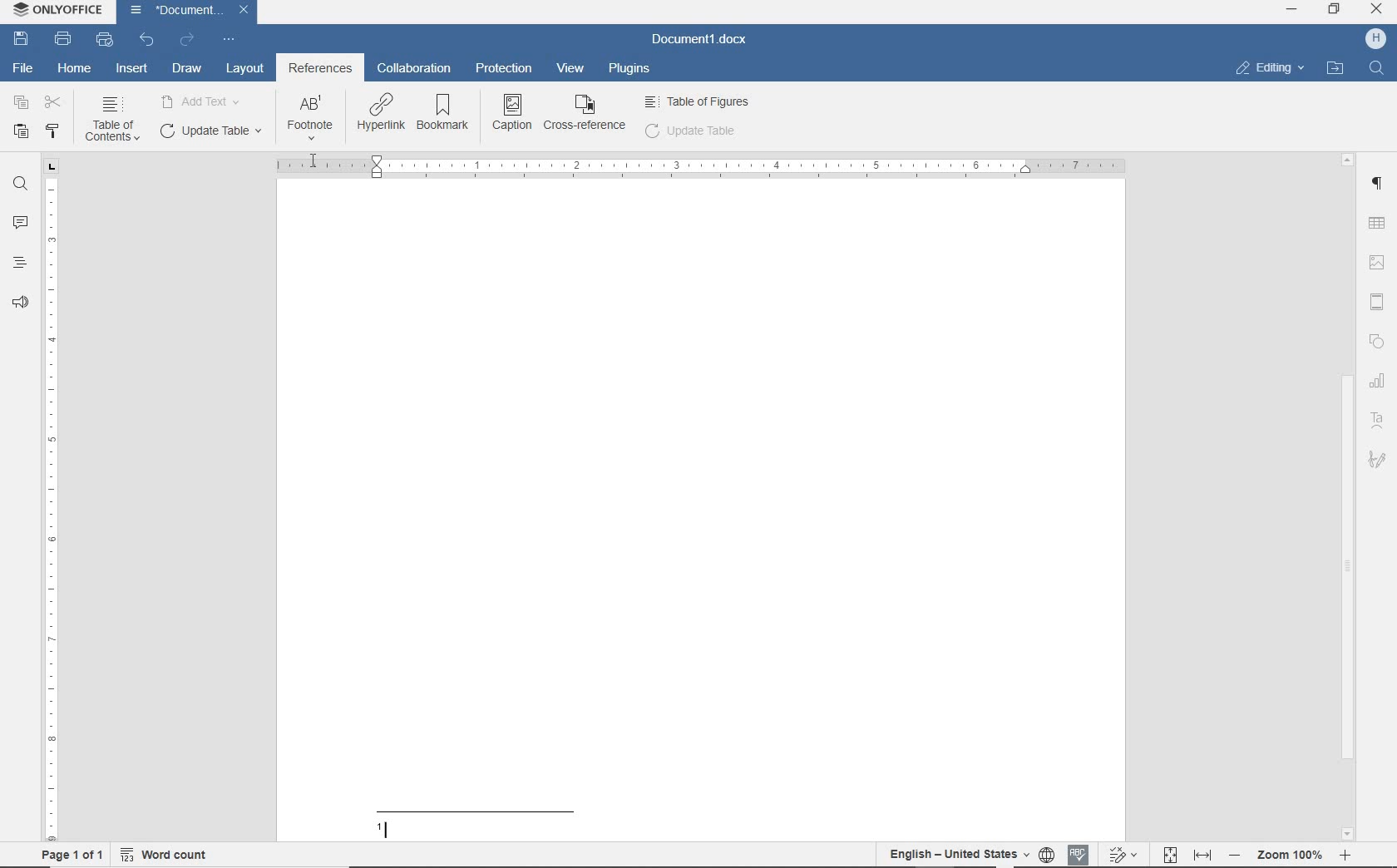 The image size is (1397, 868). I want to click on CLOSE, so click(1376, 11).